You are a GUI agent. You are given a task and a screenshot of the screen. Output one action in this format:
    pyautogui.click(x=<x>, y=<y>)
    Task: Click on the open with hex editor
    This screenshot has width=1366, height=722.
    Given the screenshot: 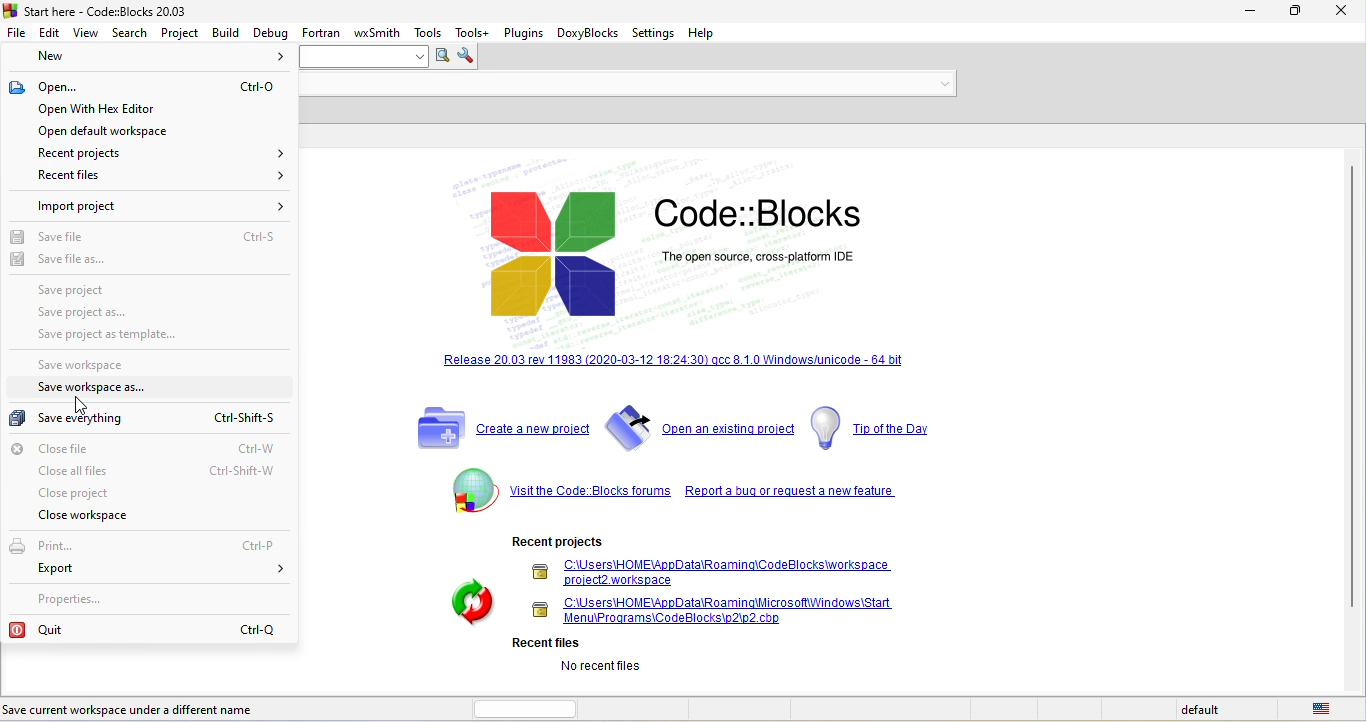 What is the action you would take?
    pyautogui.click(x=134, y=108)
    